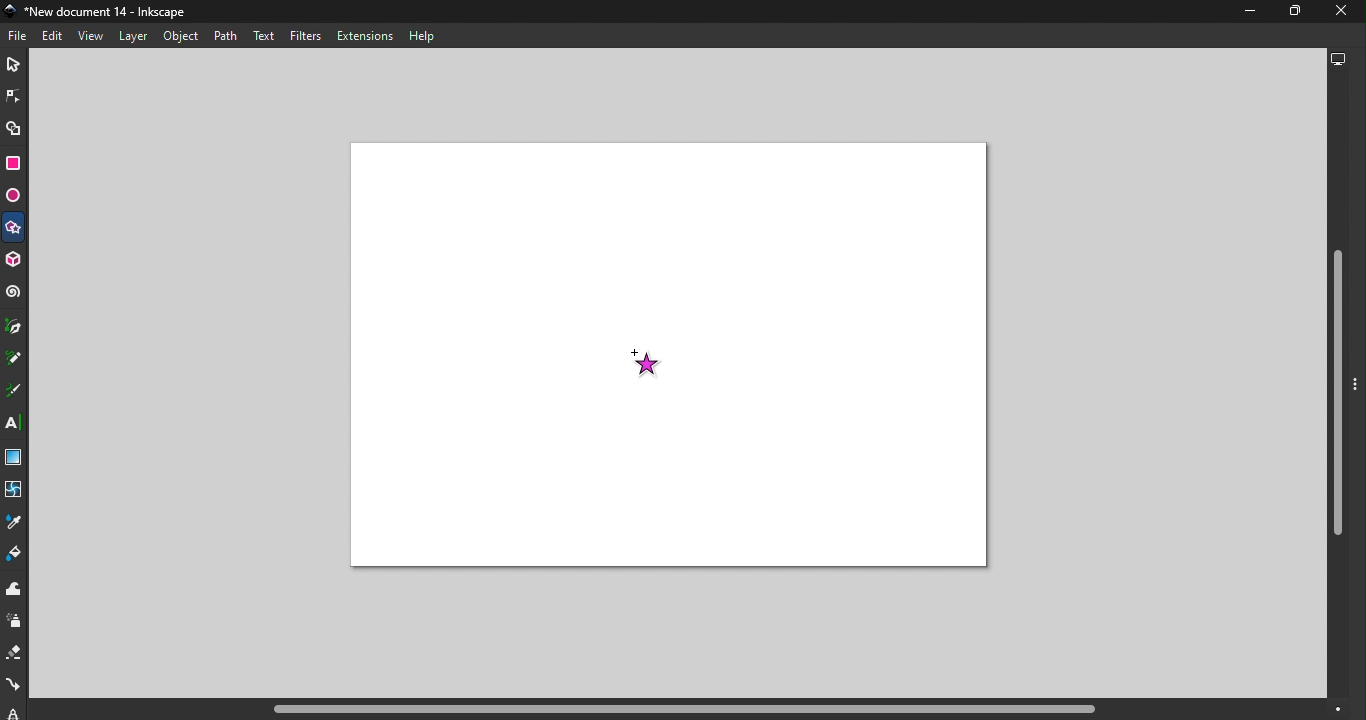 The height and width of the screenshot is (720, 1366). Describe the element at coordinates (1358, 398) in the screenshot. I see `Toggle command panel` at that location.